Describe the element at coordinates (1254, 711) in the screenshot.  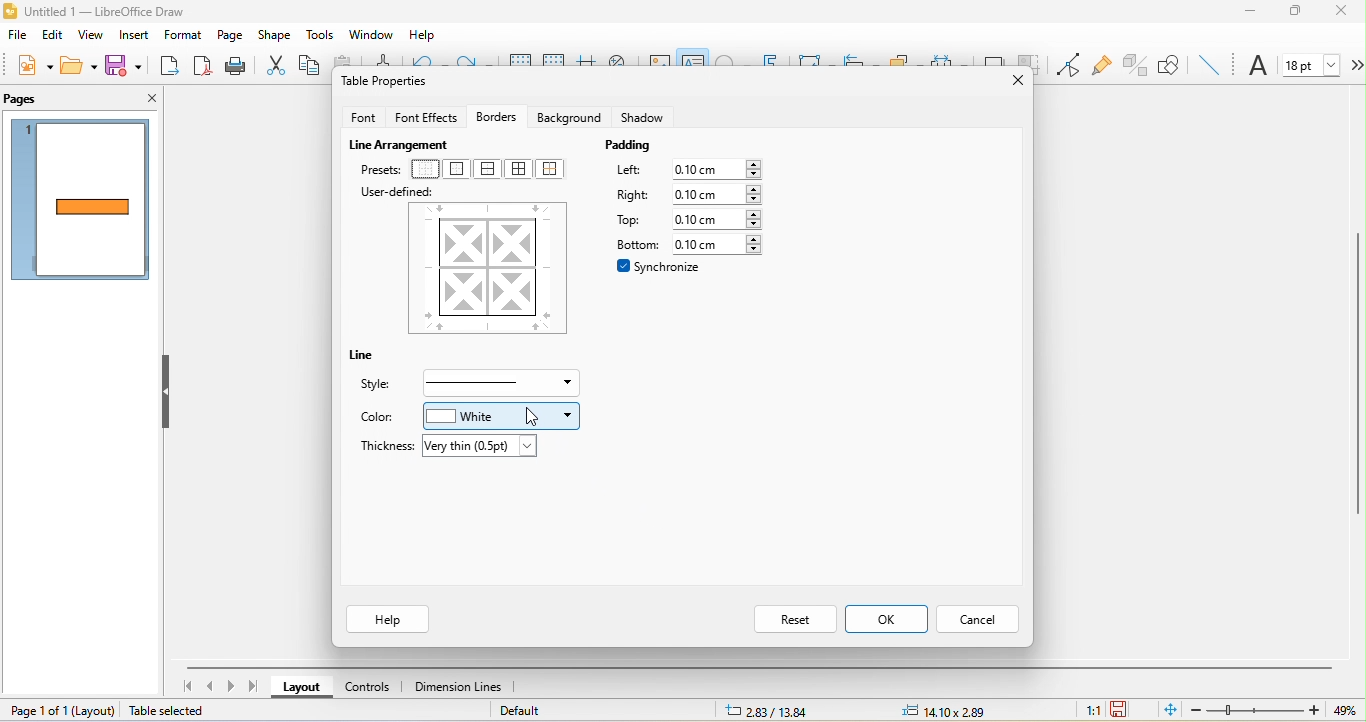
I see `zoom` at that location.